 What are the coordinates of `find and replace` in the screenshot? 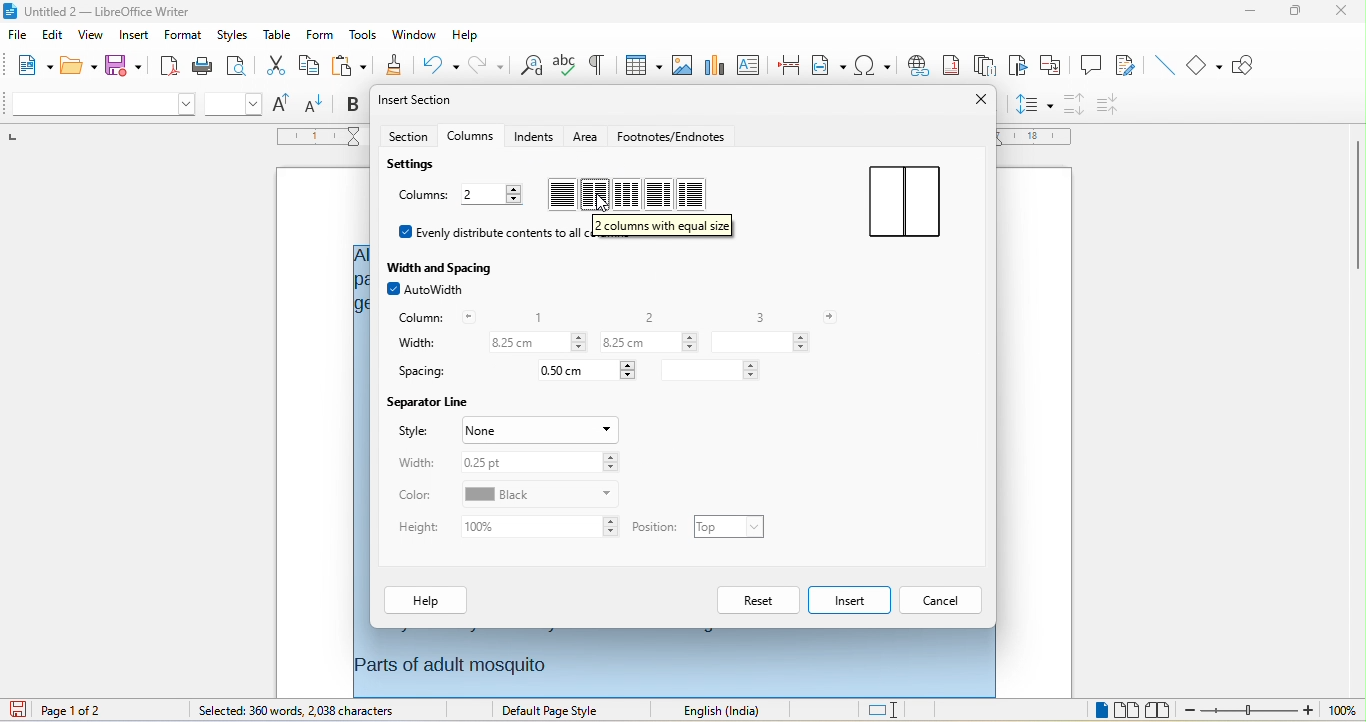 It's located at (531, 67).